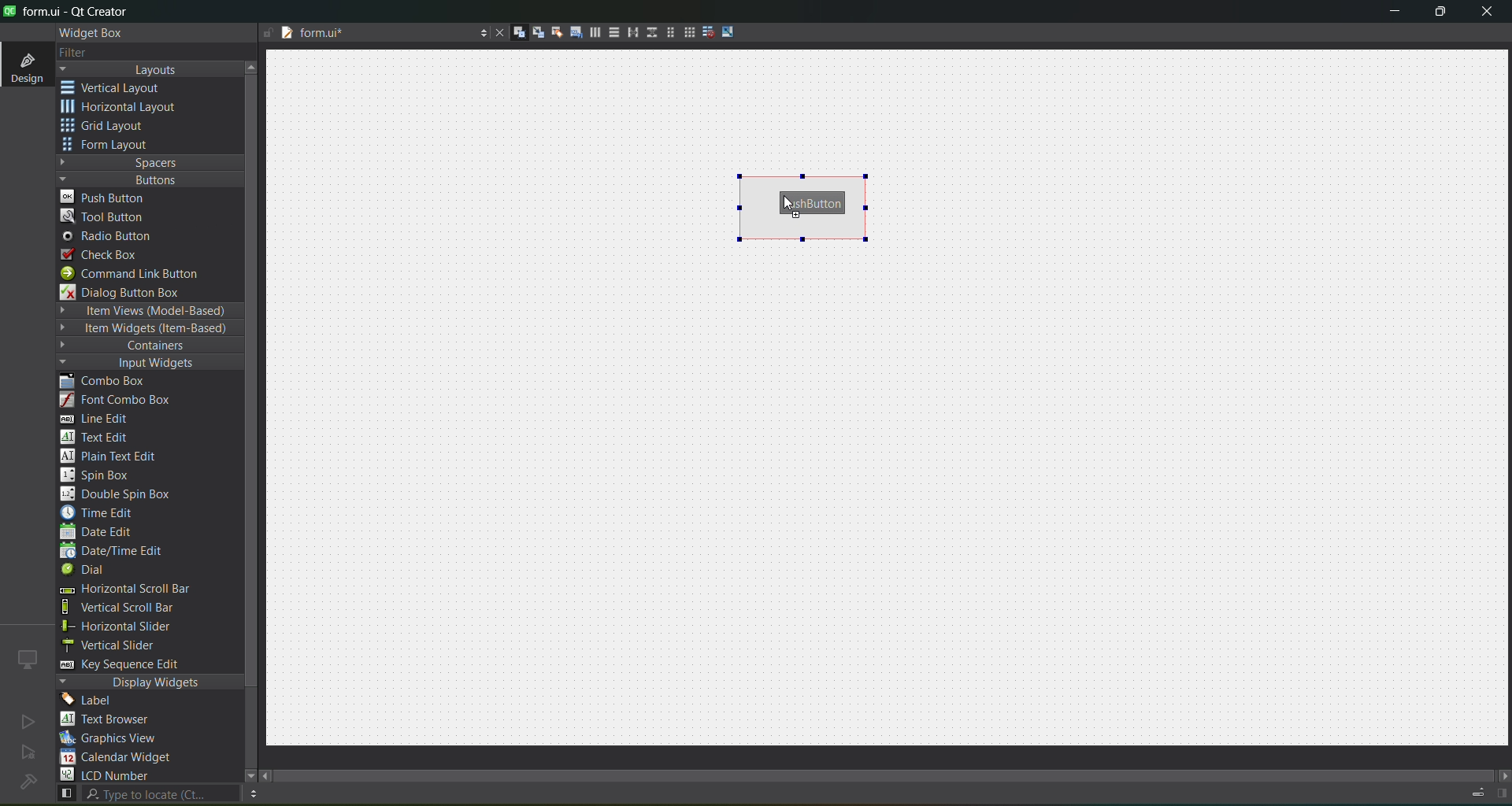 Image resolution: width=1512 pixels, height=806 pixels. Describe the element at coordinates (254, 65) in the screenshot. I see `move up` at that location.